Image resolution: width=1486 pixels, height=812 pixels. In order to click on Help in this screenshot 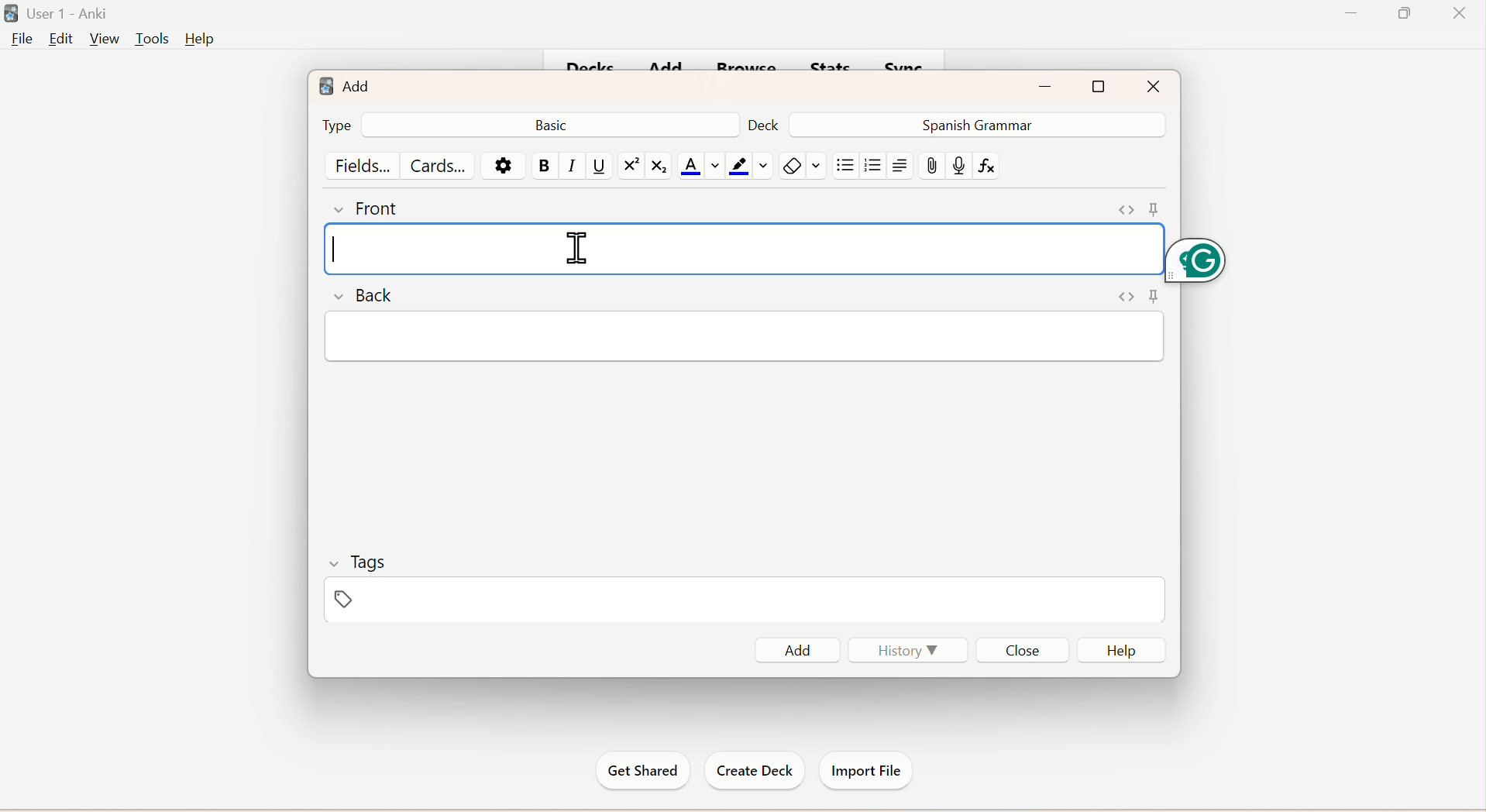, I will do `click(1120, 650)`.